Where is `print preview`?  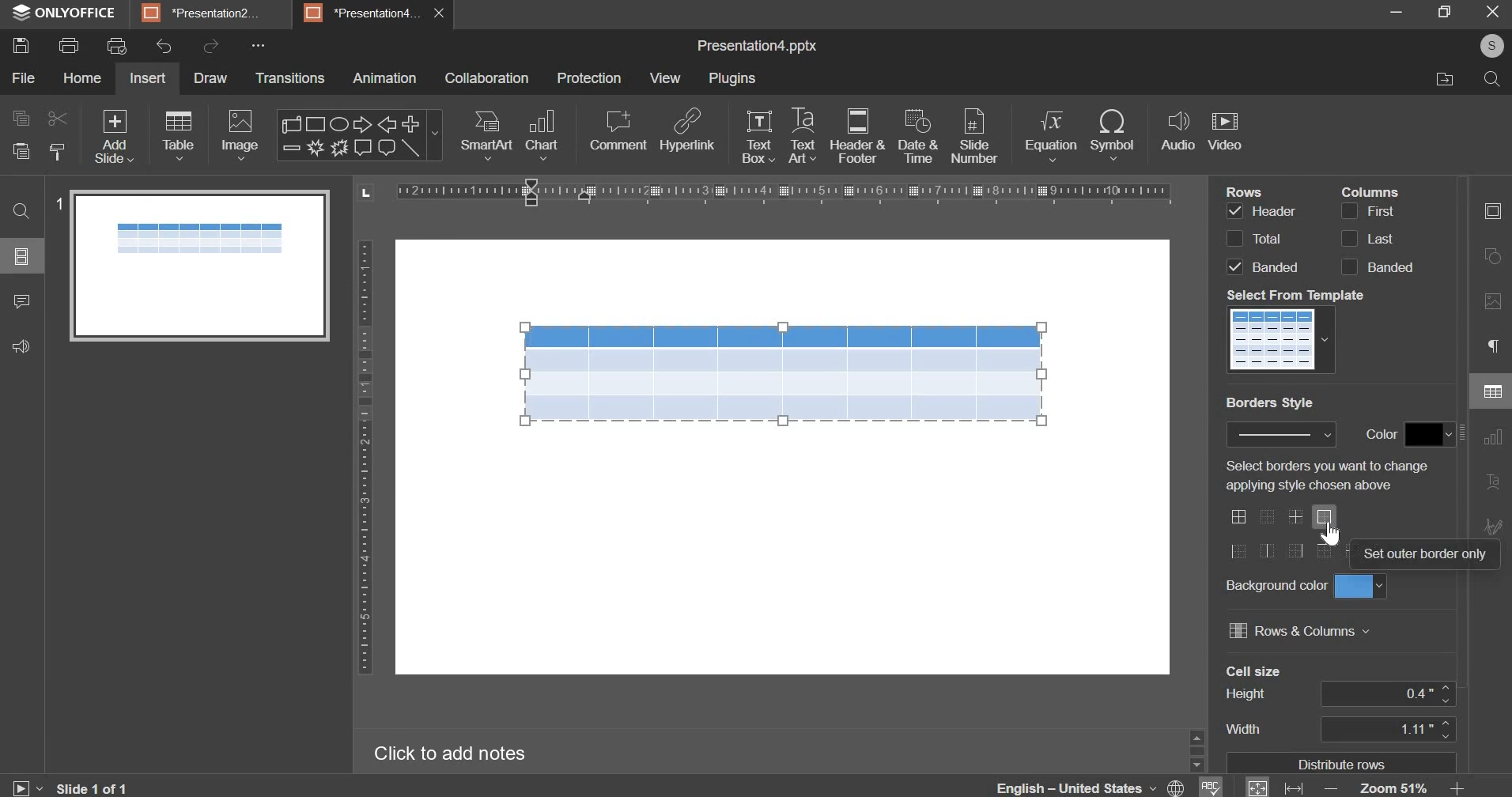 print preview is located at coordinates (117, 47).